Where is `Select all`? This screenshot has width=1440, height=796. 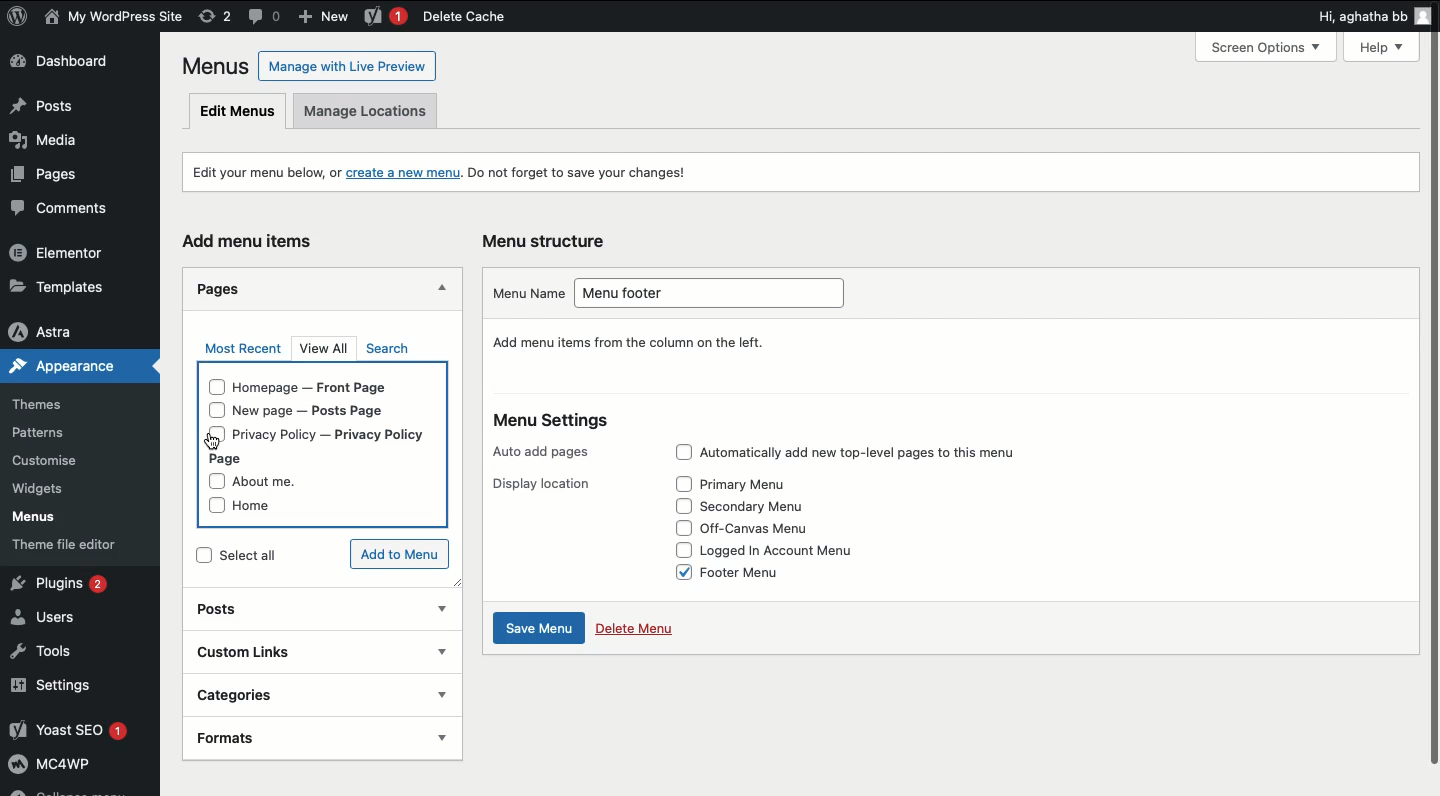 Select all is located at coordinates (270, 559).